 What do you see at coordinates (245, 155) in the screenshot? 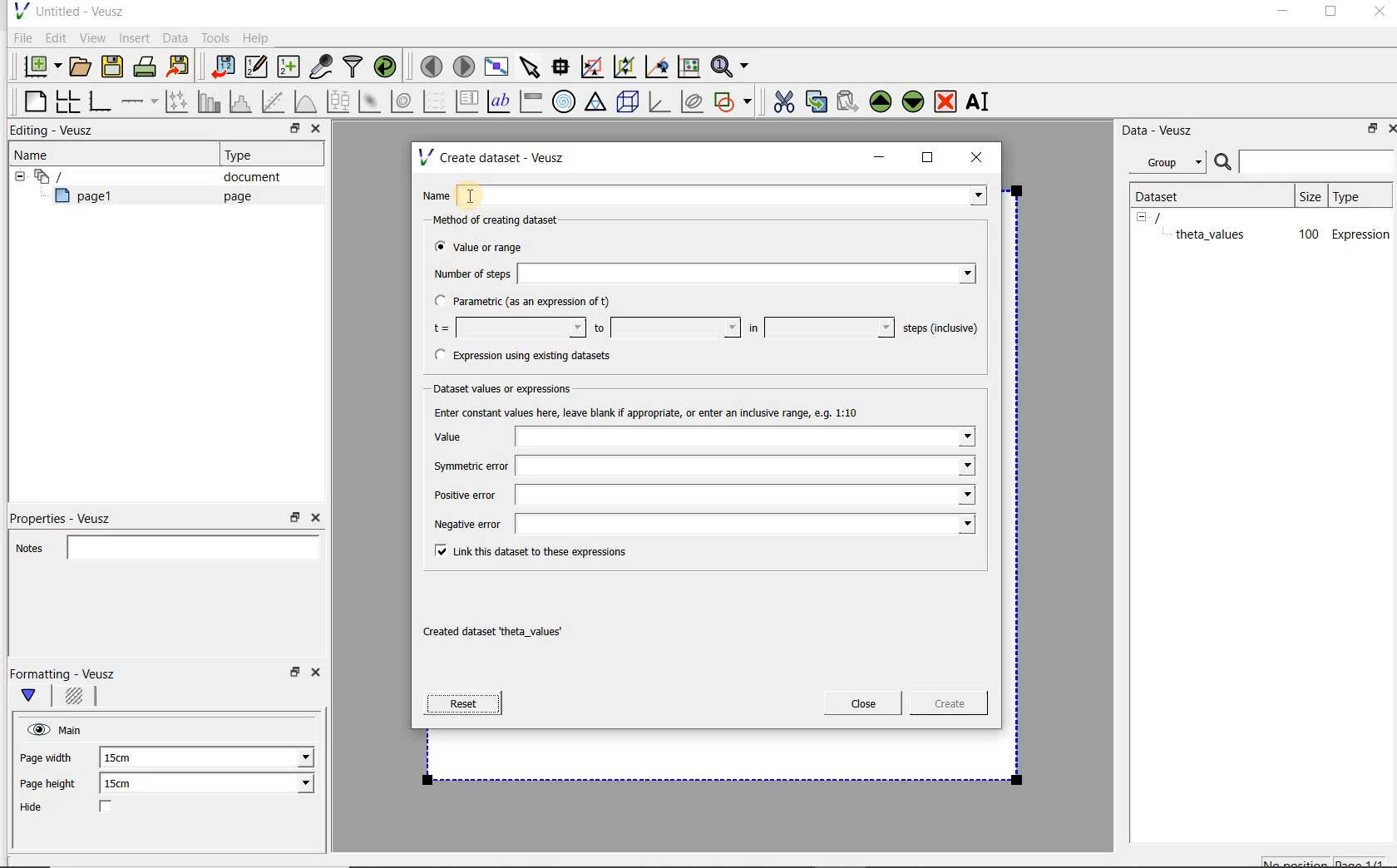
I see `Type` at bounding box center [245, 155].